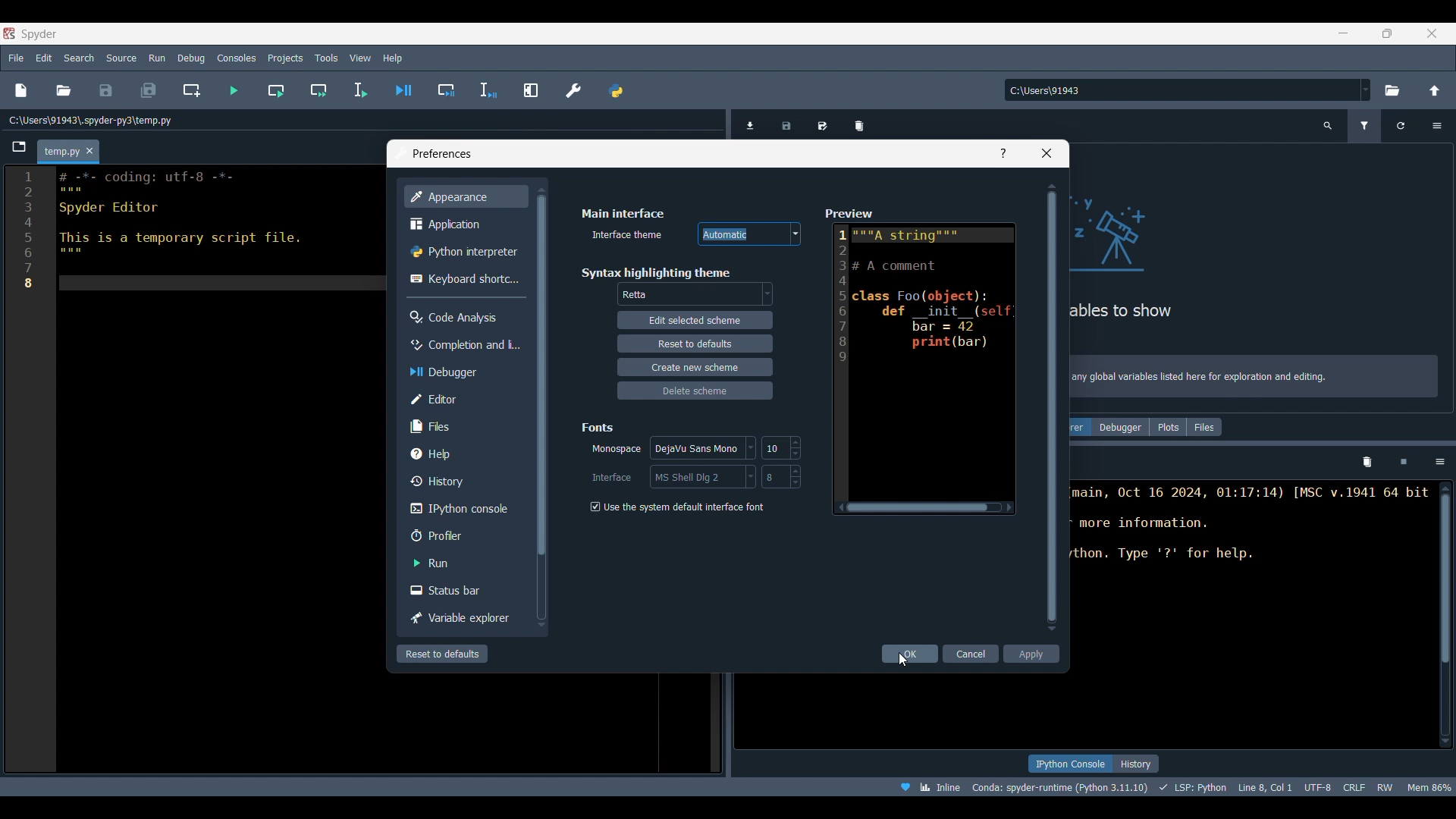  What do you see at coordinates (1263, 786) in the screenshot?
I see `cursor details` at bounding box center [1263, 786].